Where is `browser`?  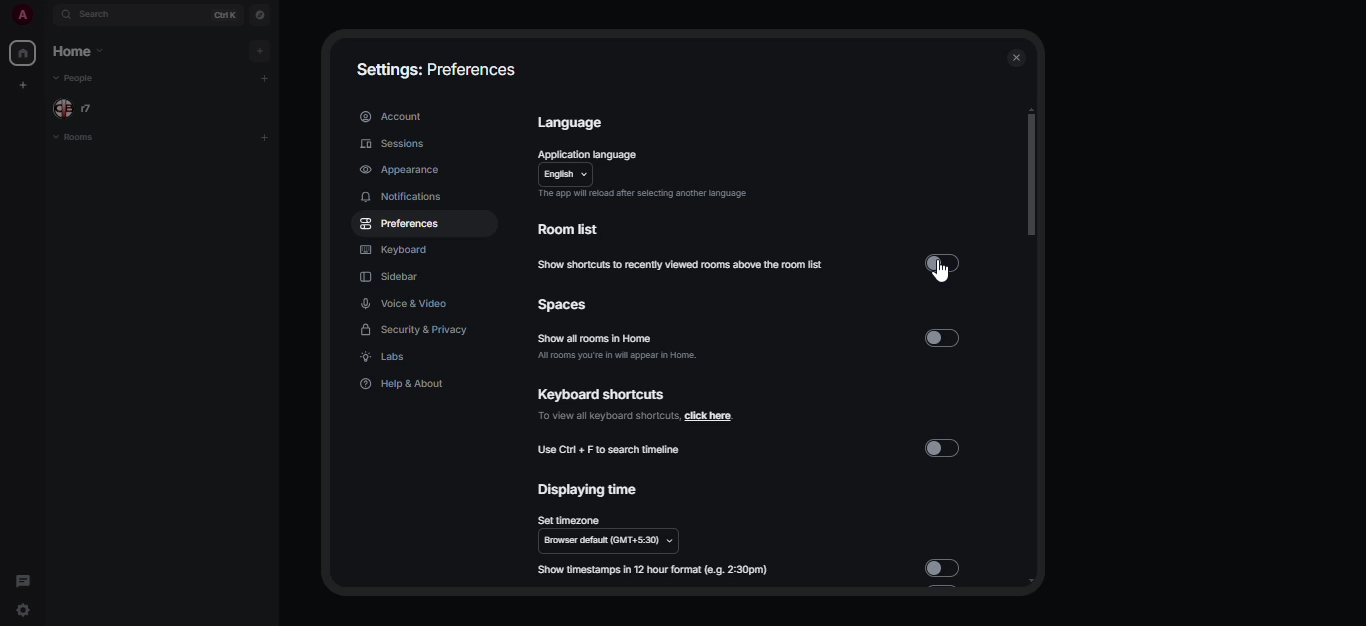
browser is located at coordinates (610, 541).